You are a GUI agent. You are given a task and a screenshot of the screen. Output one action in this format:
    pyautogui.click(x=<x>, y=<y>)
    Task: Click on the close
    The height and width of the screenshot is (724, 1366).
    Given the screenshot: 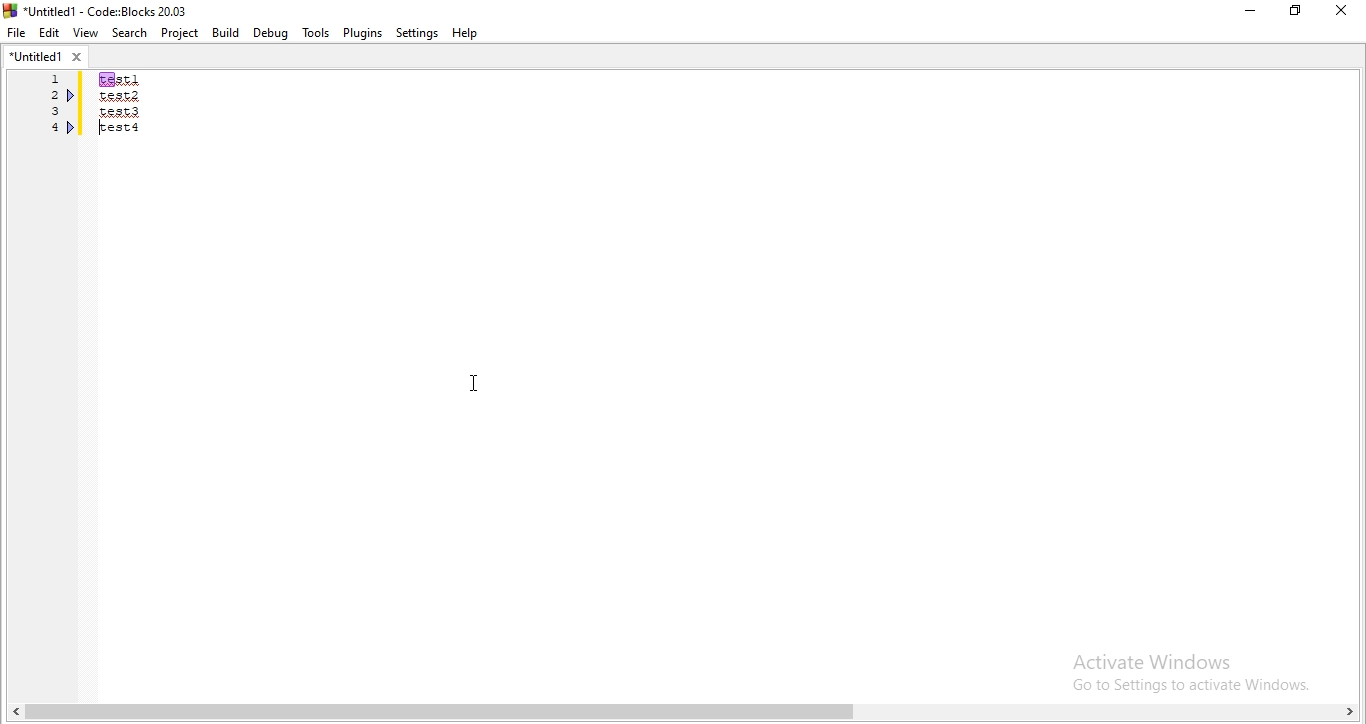 What is the action you would take?
    pyautogui.click(x=1346, y=11)
    